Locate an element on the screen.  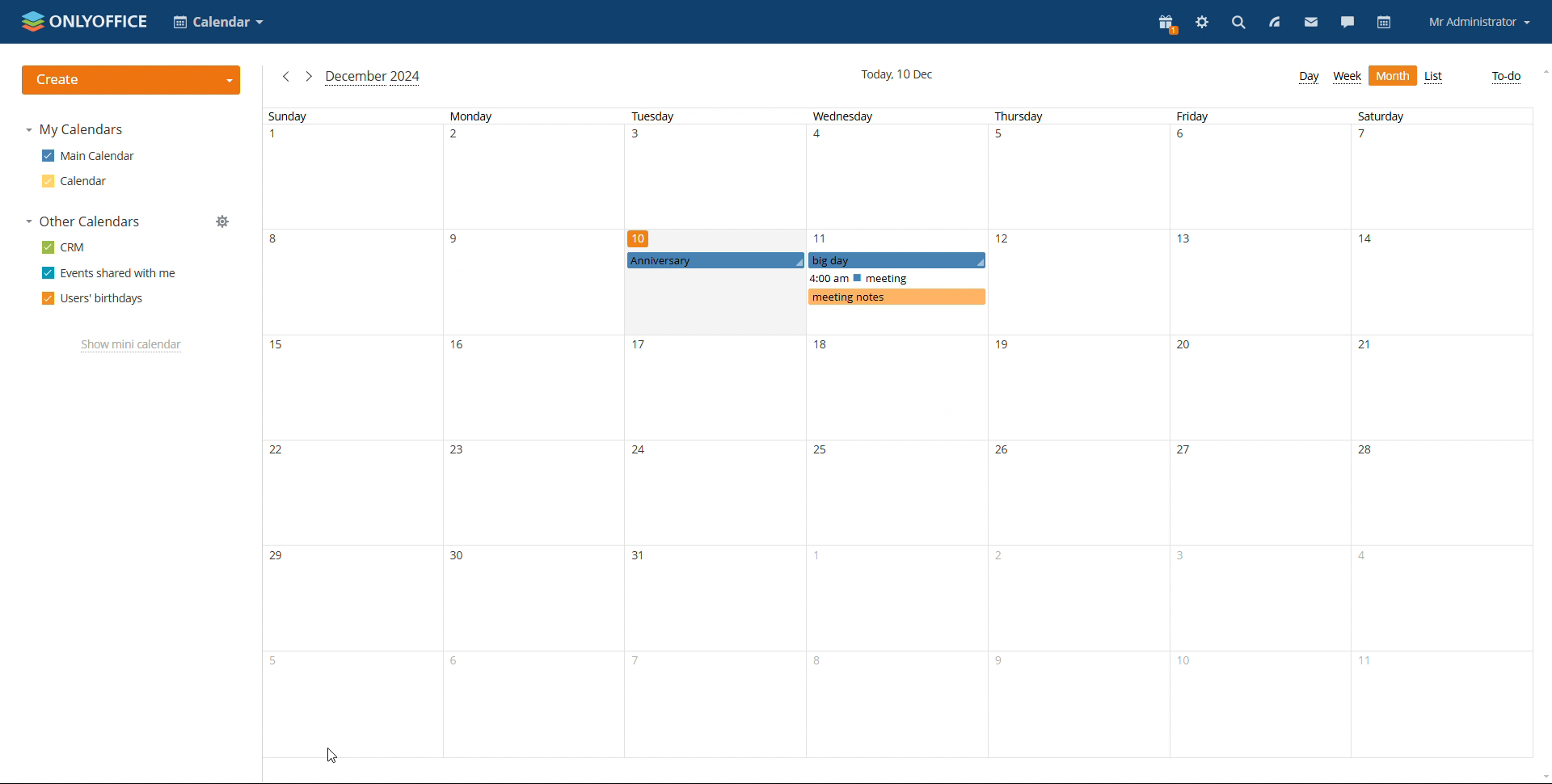
select application is located at coordinates (219, 22).